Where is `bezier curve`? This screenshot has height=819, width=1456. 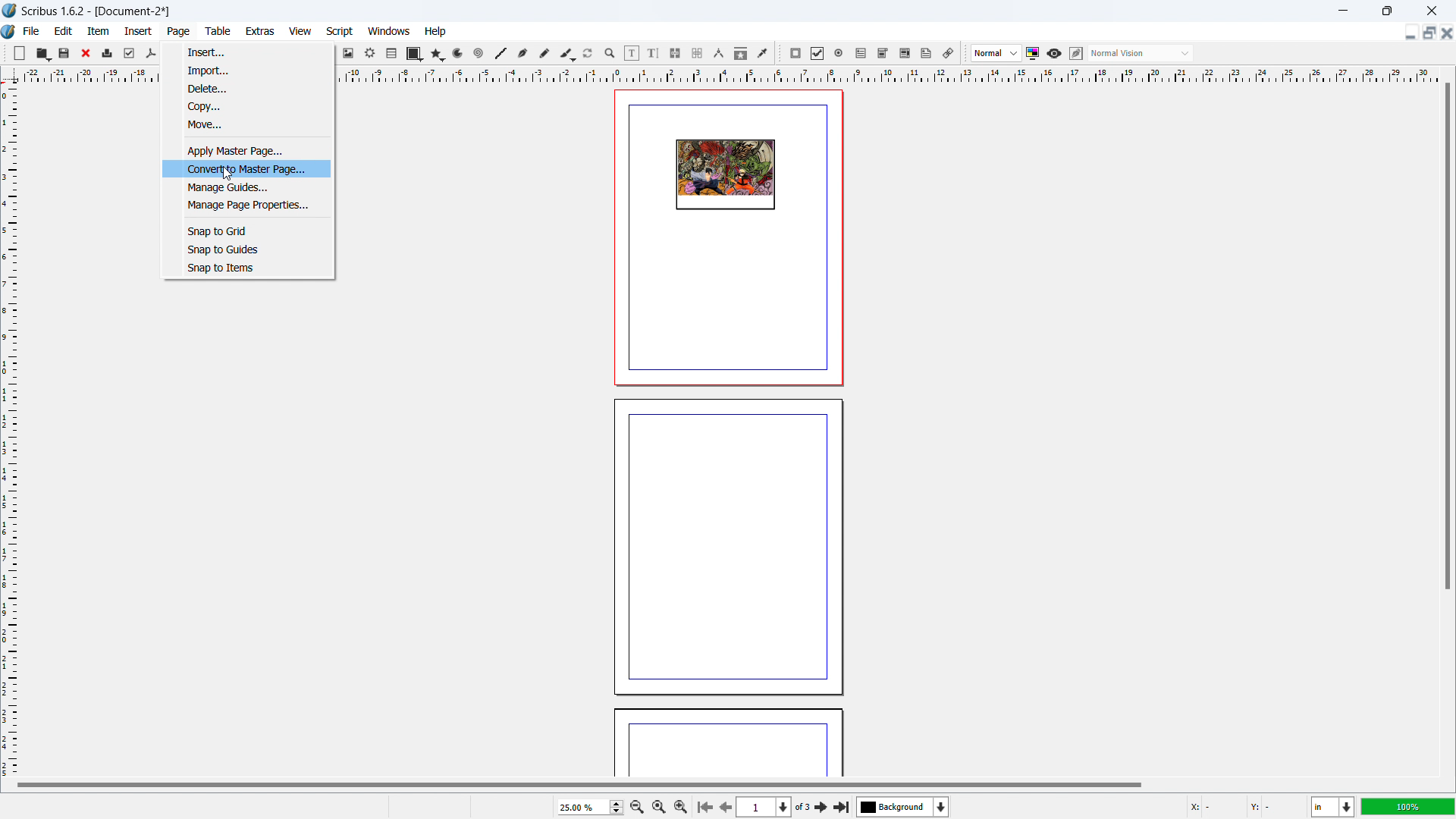 bezier curve is located at coordinates (522, 54).